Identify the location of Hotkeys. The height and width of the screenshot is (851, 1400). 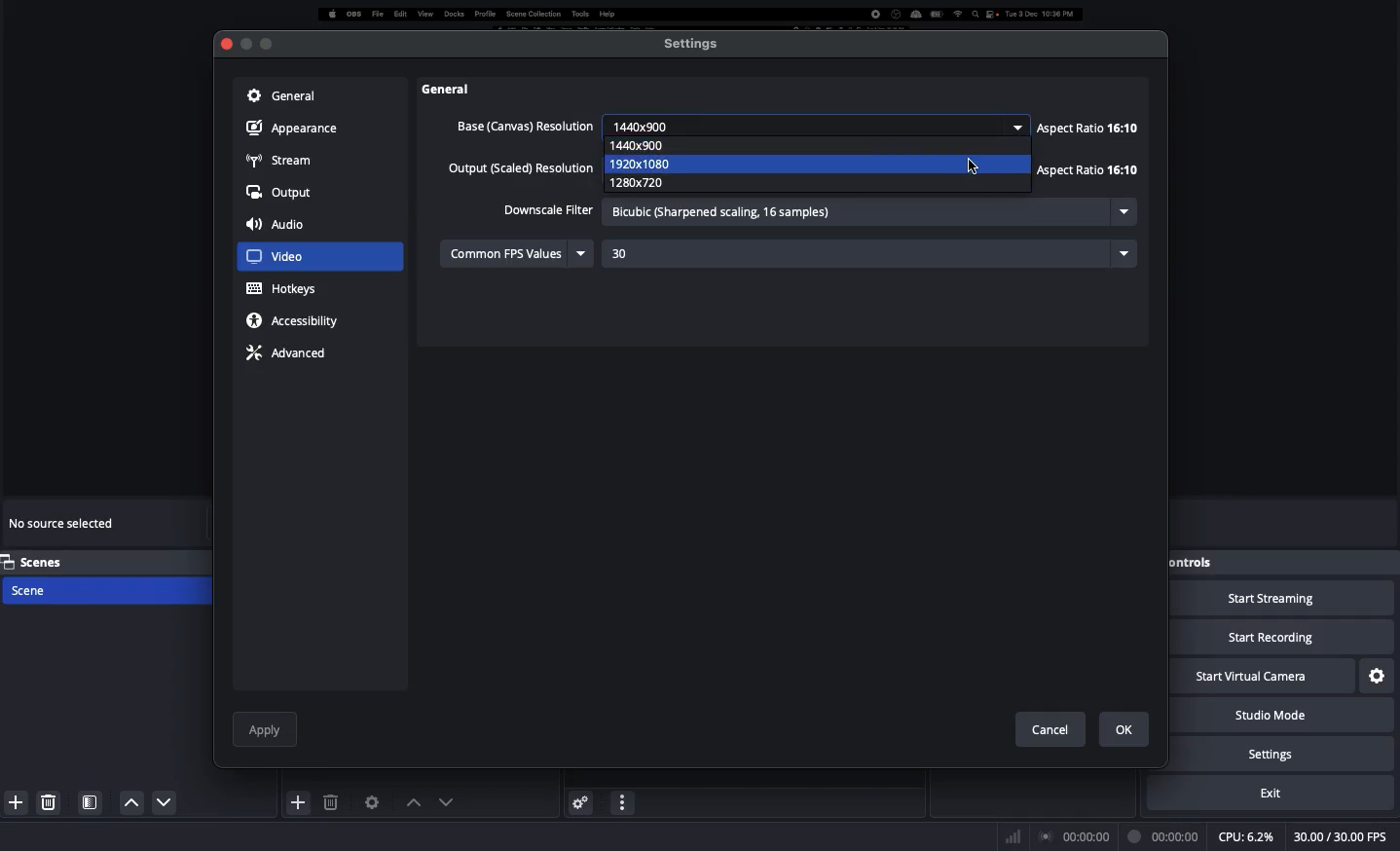
(283, 289).